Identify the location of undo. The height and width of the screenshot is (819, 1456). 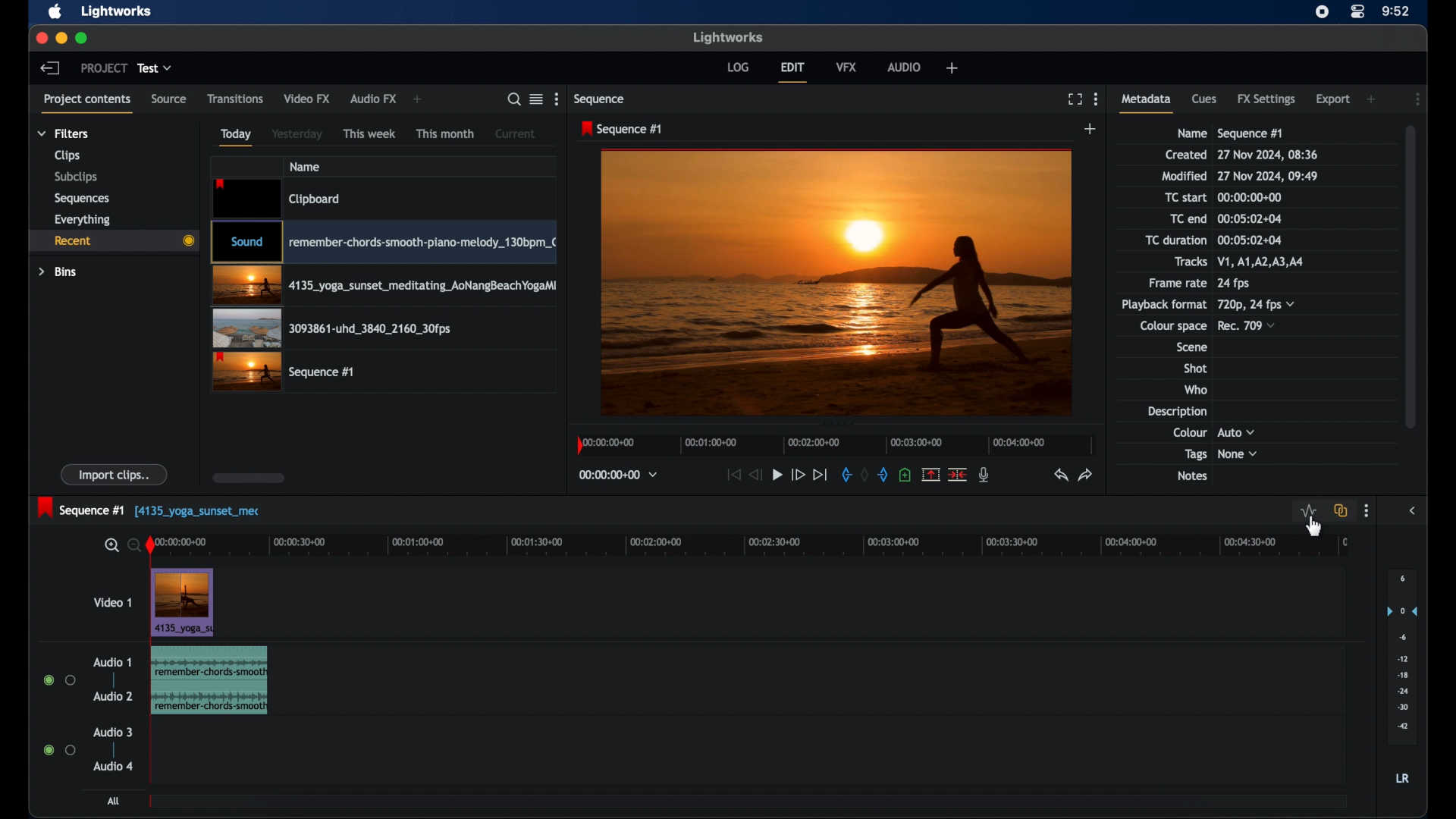
(1059, 475).